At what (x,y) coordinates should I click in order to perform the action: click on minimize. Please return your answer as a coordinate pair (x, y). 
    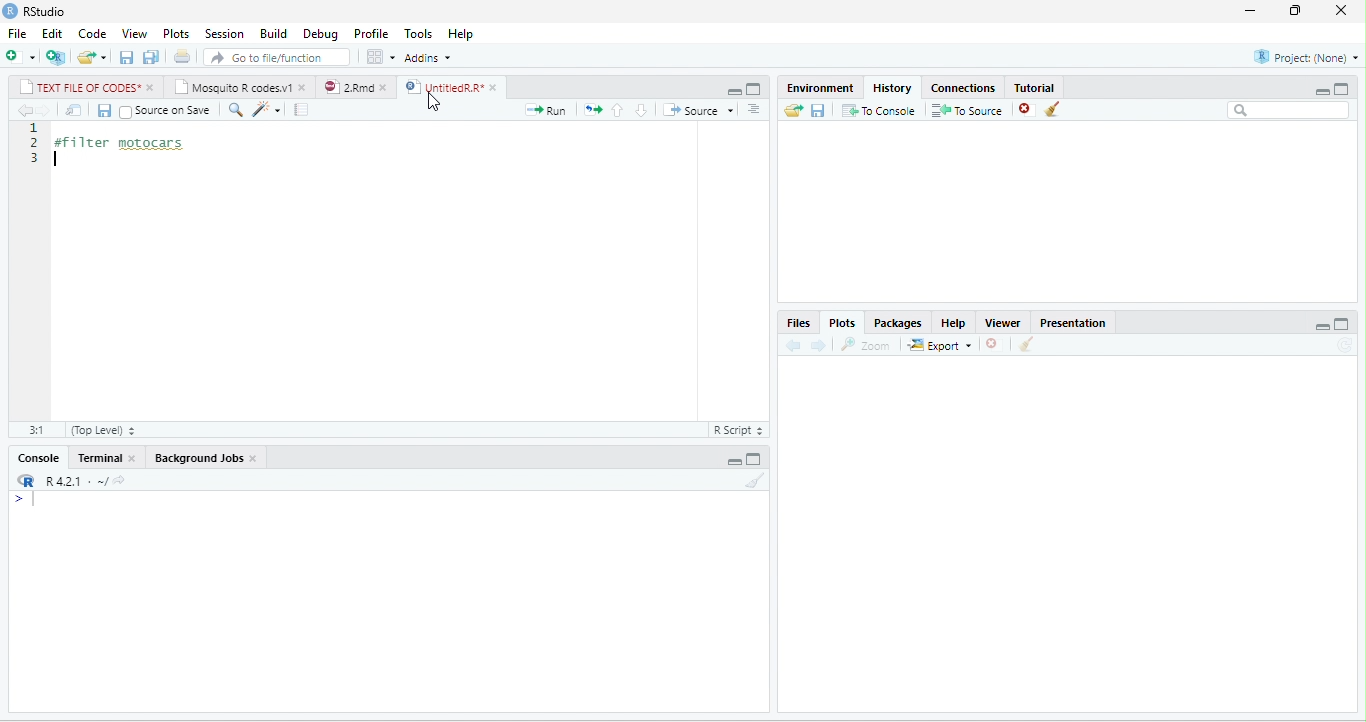
    Looking at the image, I should click on (1322, 326).